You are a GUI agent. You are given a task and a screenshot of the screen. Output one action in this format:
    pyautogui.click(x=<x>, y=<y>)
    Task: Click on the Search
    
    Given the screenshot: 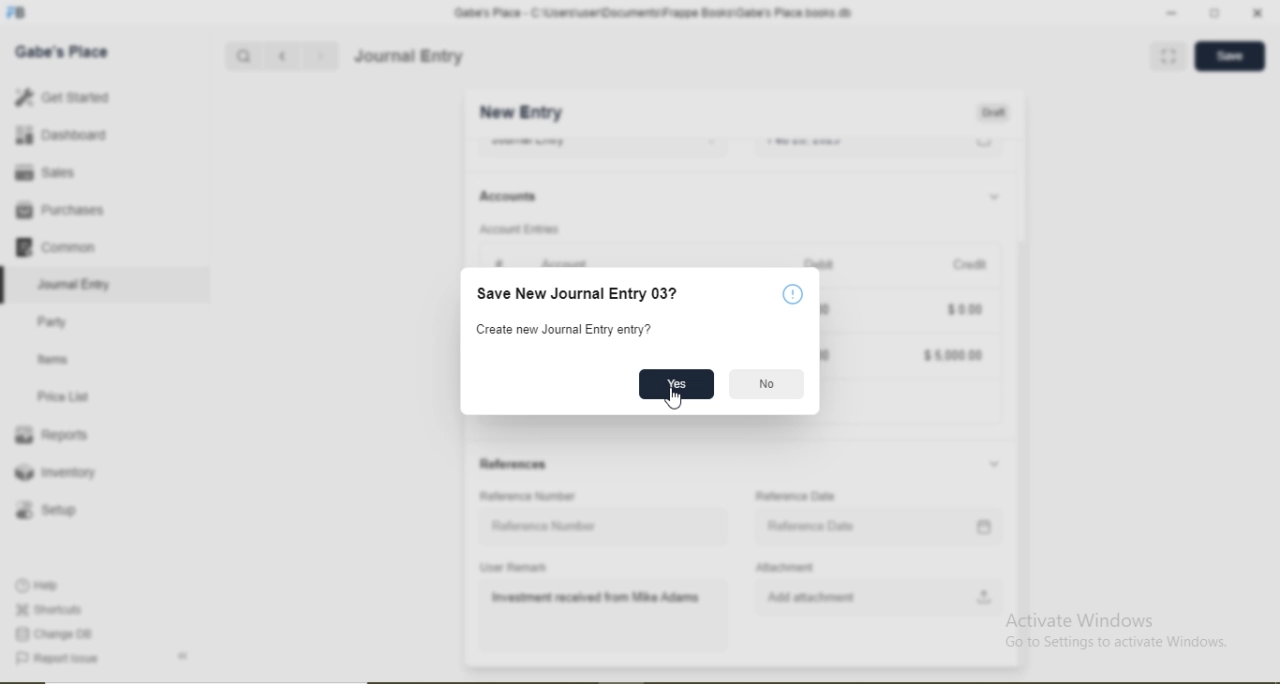 What is the action you would take?
    pyautogui.click(x=242, y=57)
    